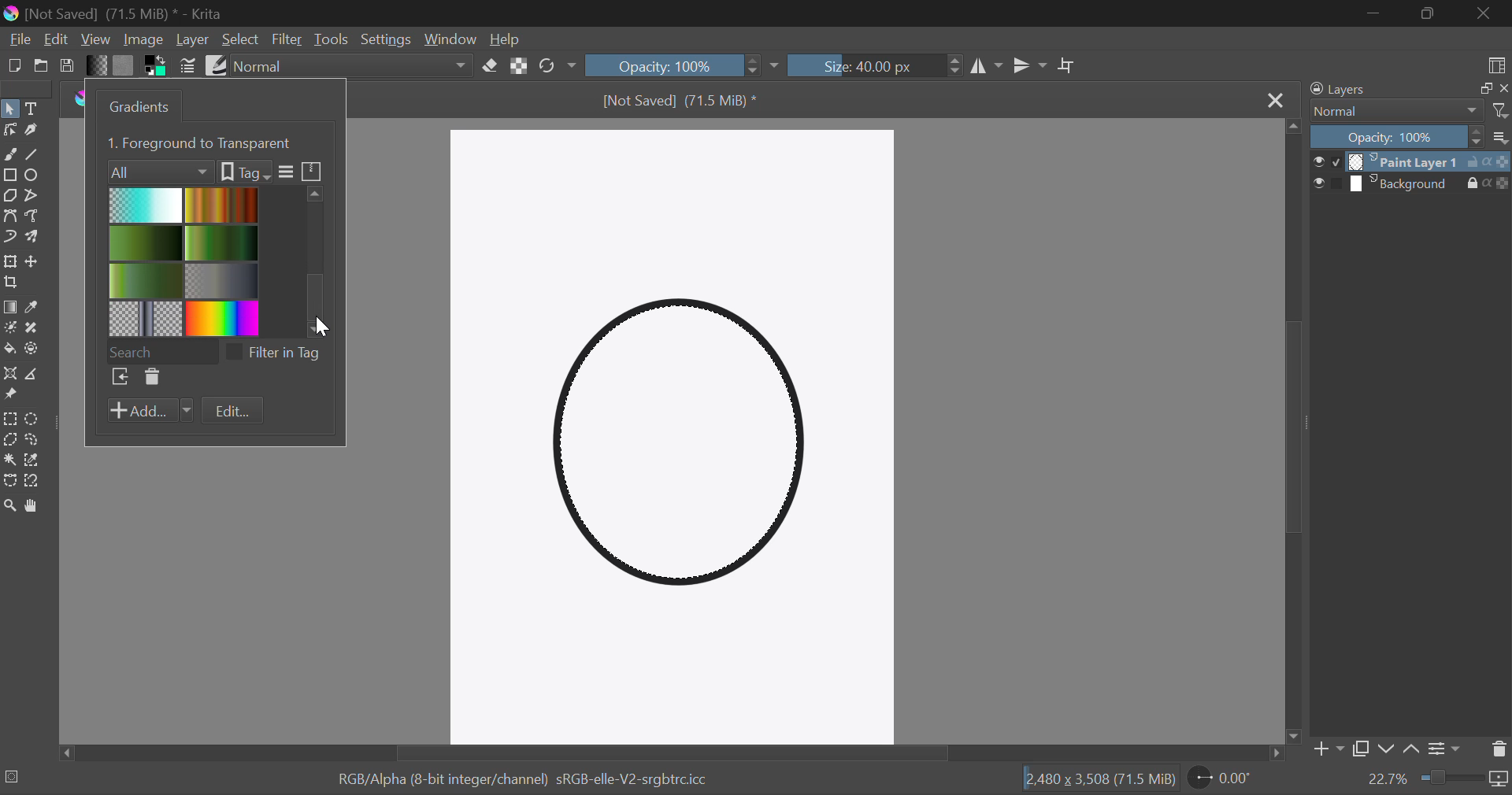 Image resolution: width=1512 pixels, height=795 pixels. I want to click on Eyedropper, so click(36, 307).